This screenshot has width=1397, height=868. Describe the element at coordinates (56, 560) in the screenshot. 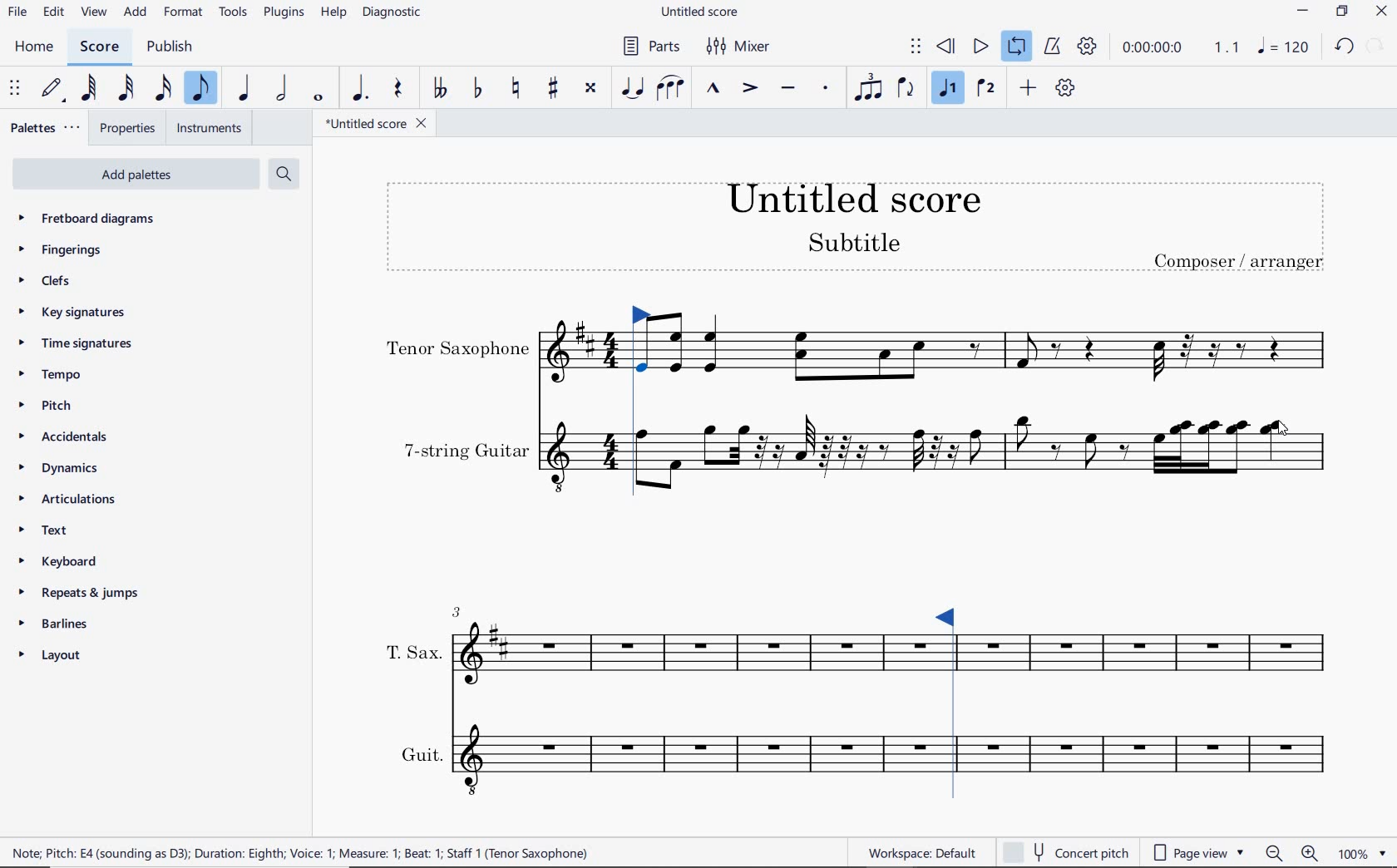

I see `KEYBOARD` at that location.